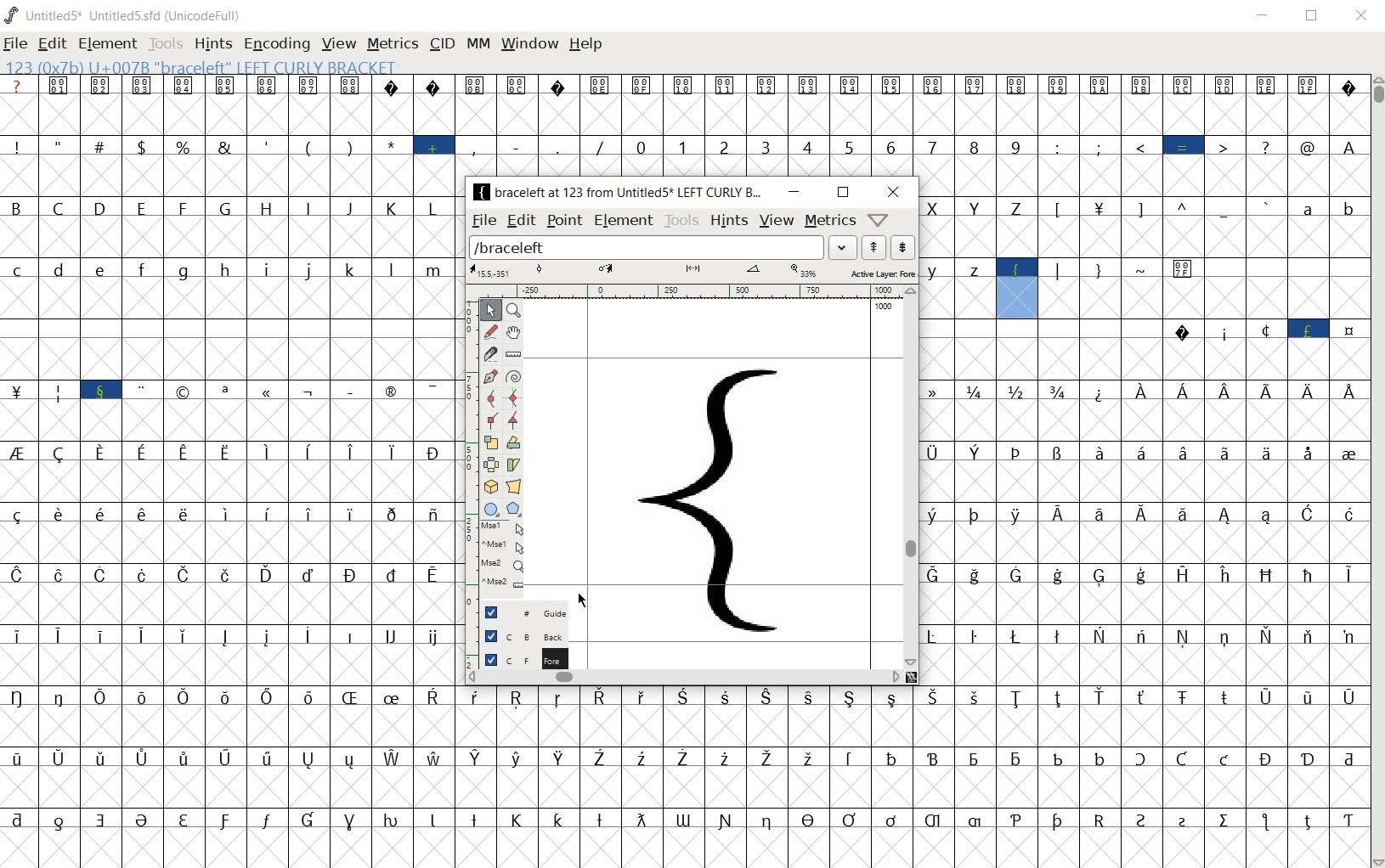  I want to click on file, so click(485, 220).